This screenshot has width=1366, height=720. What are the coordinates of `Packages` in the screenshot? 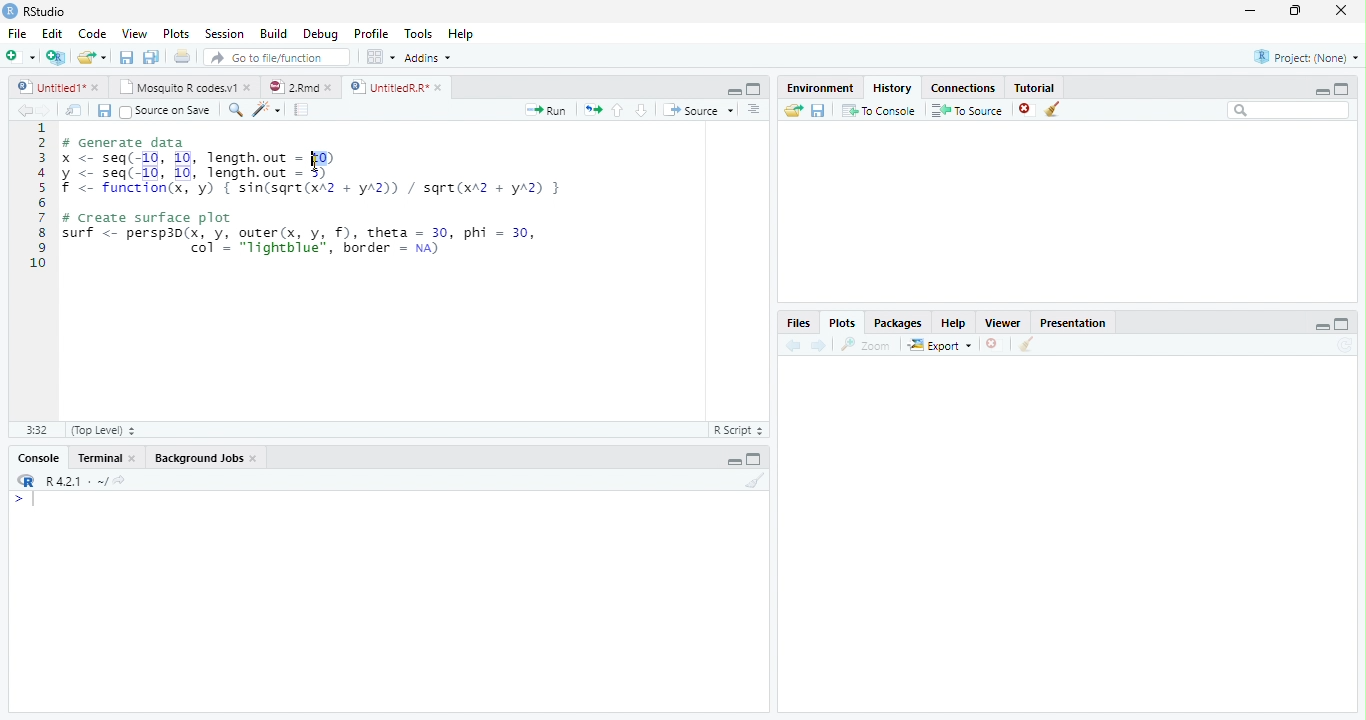 It's located at (898, 322).